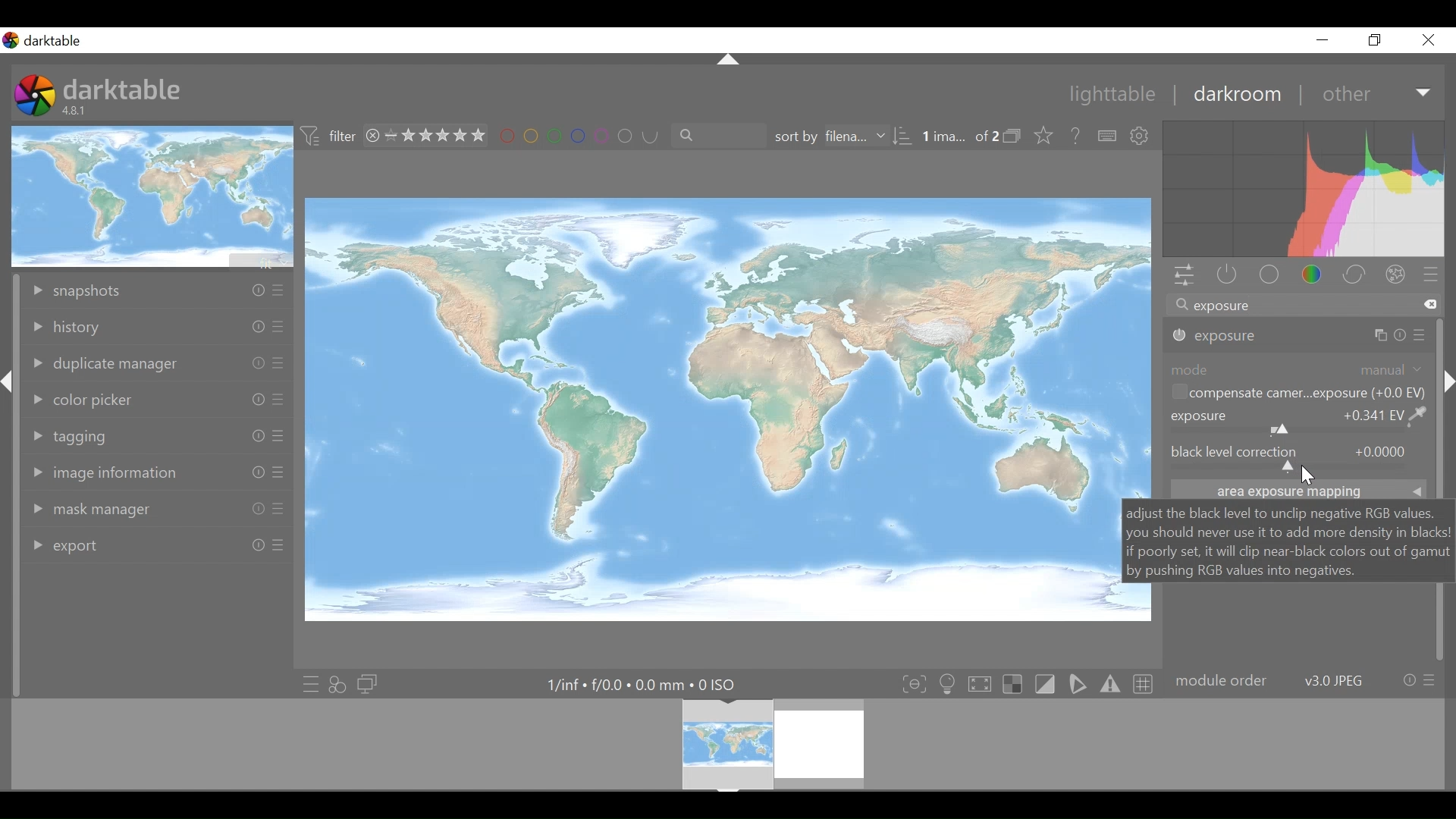 The height and width of the screenshot is (819, 1456). What do you see at coordinates (157, 545) in the screenshot?
I see `export` at bounding box center [157, 545].